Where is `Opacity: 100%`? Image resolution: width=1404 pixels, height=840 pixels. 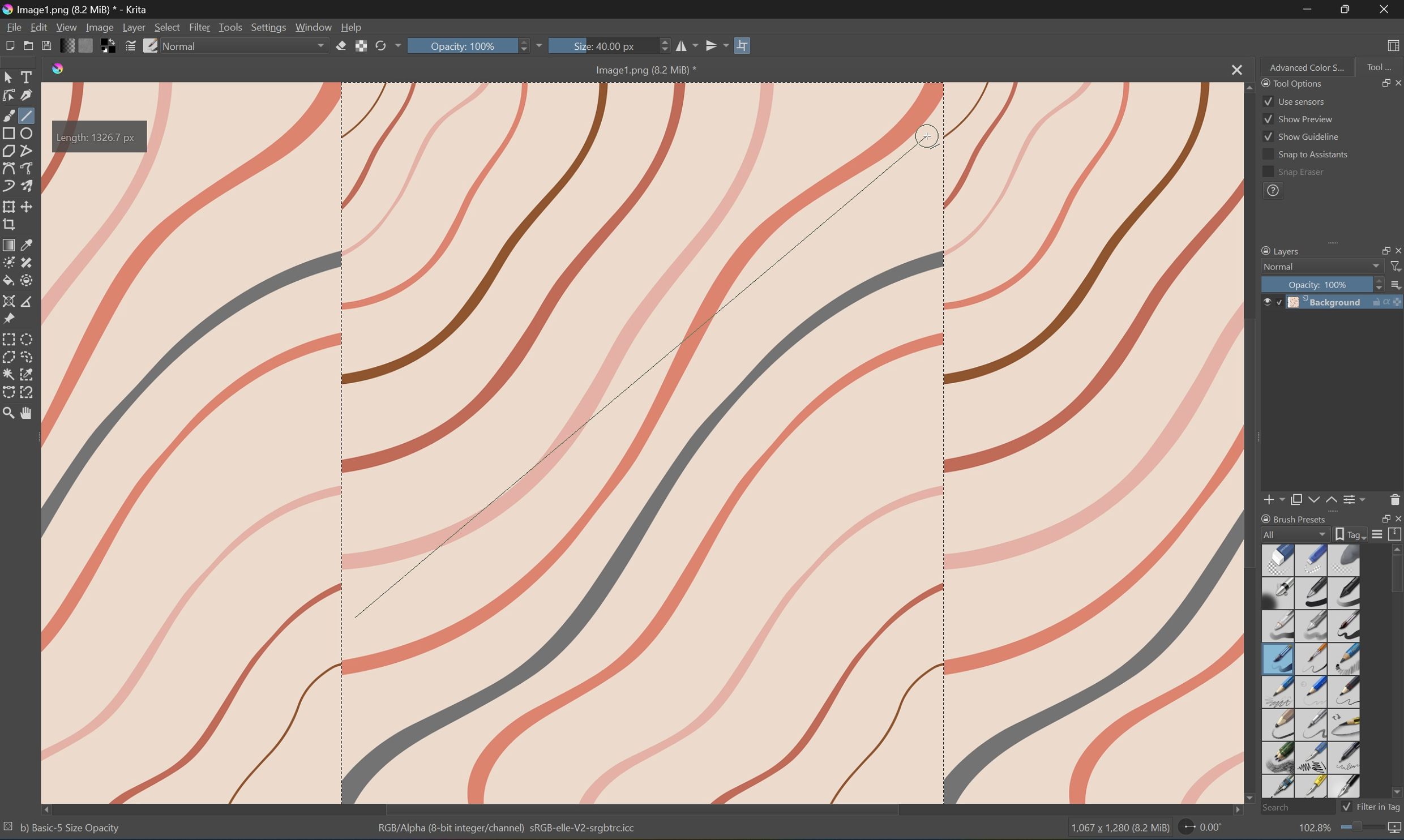
Opacity: 100% is located at coordinates (469, 46).